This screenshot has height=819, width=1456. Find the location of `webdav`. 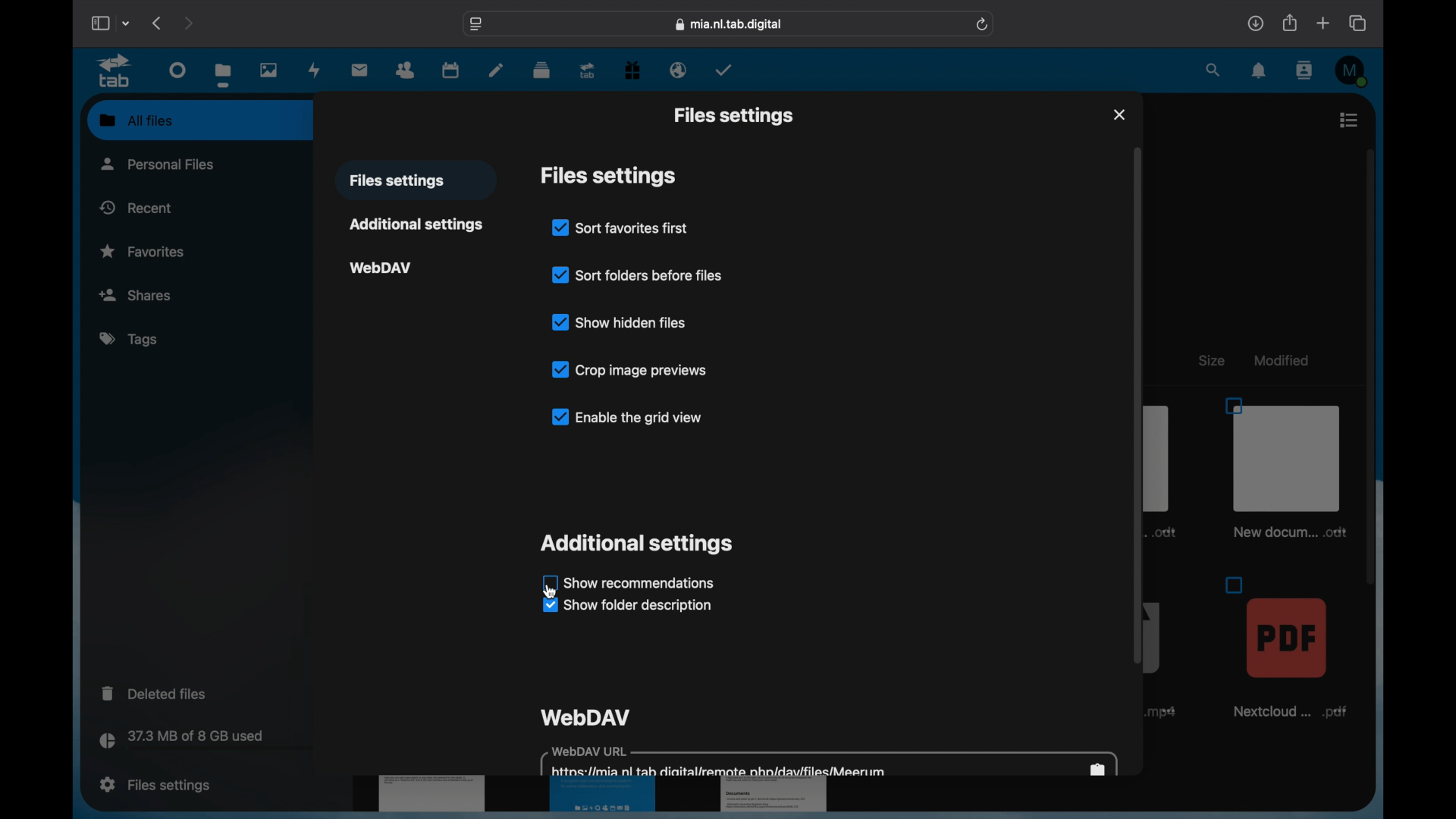

webdav is located at coordinates (382, 268).